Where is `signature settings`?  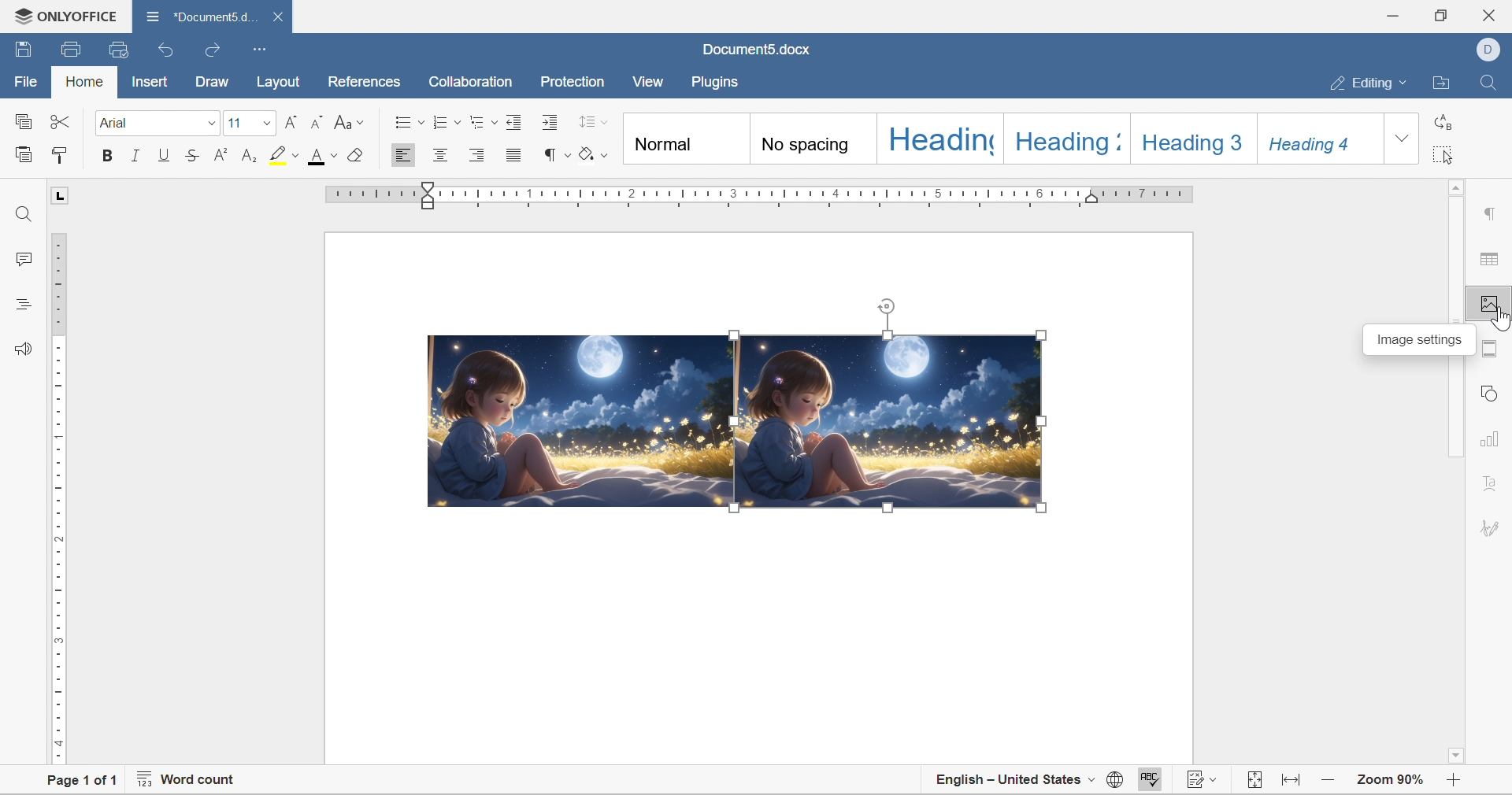
signature settings is located at coordinates (1493, 527).